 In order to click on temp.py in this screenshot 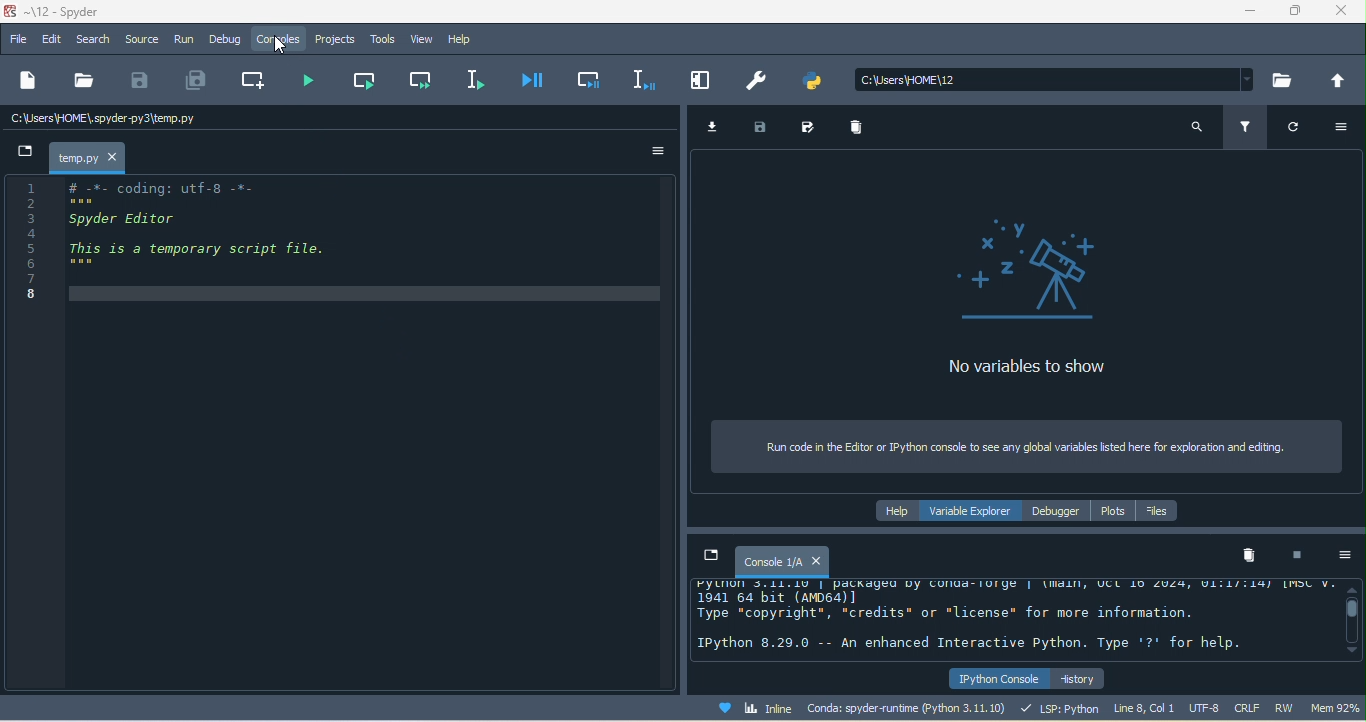, I will do `click(88, 158)`.